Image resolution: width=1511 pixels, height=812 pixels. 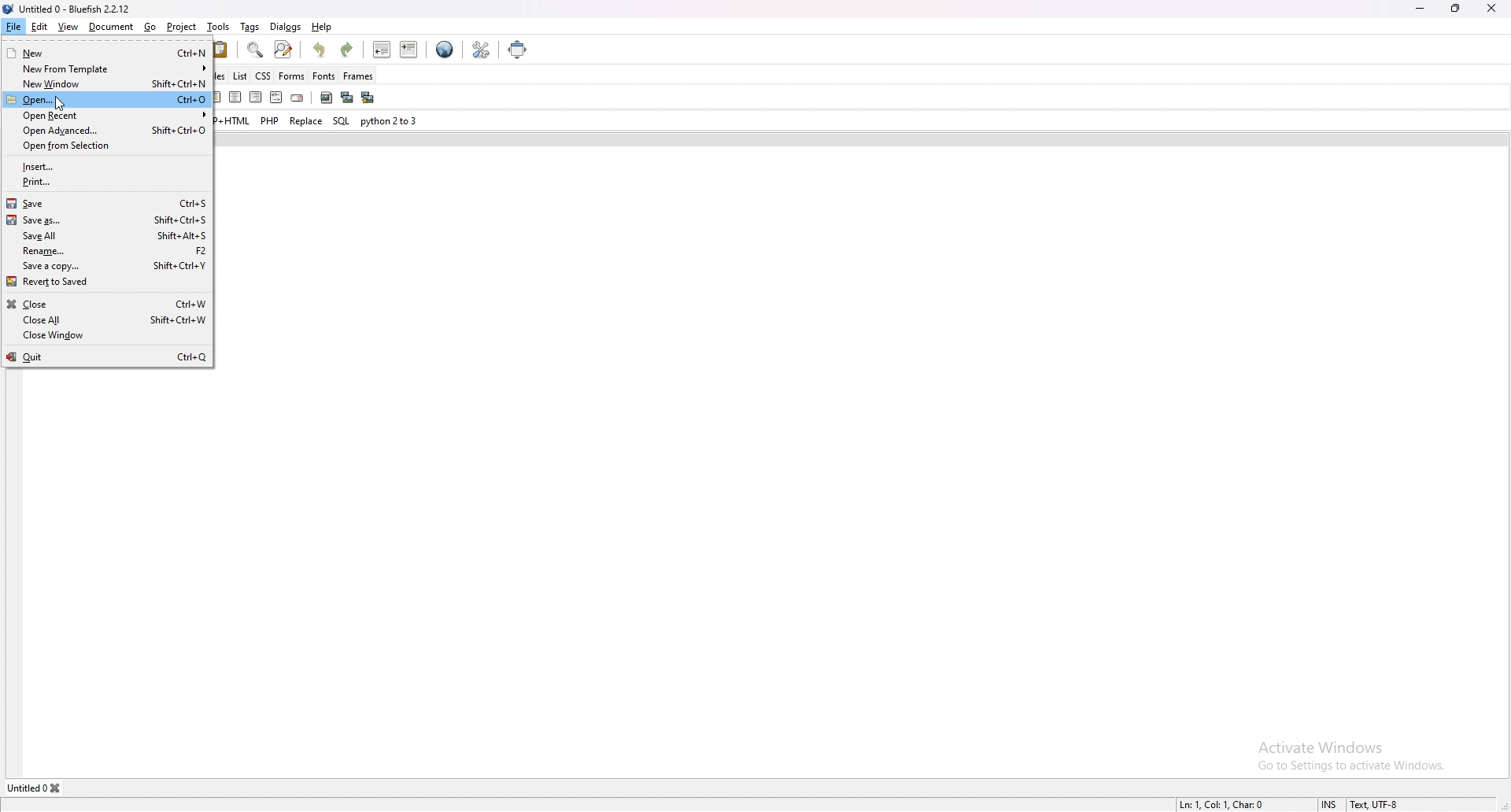 What do you see at coordinates (1491, 9) in the screenshot?
I see `close` at bounding box center [1491, 9].